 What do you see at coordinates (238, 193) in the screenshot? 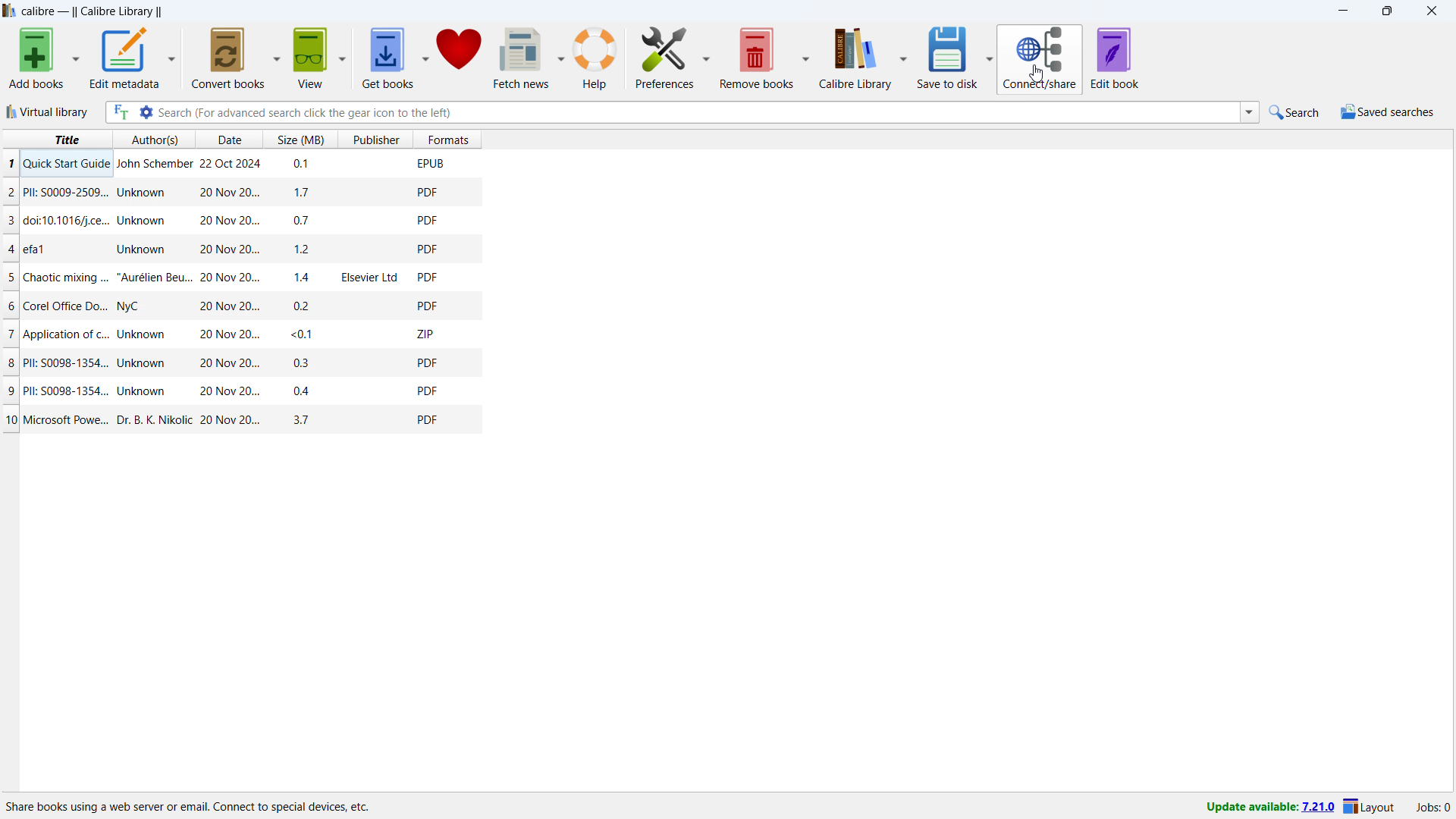
I see `one book entry` at bounding box center [238, 193].